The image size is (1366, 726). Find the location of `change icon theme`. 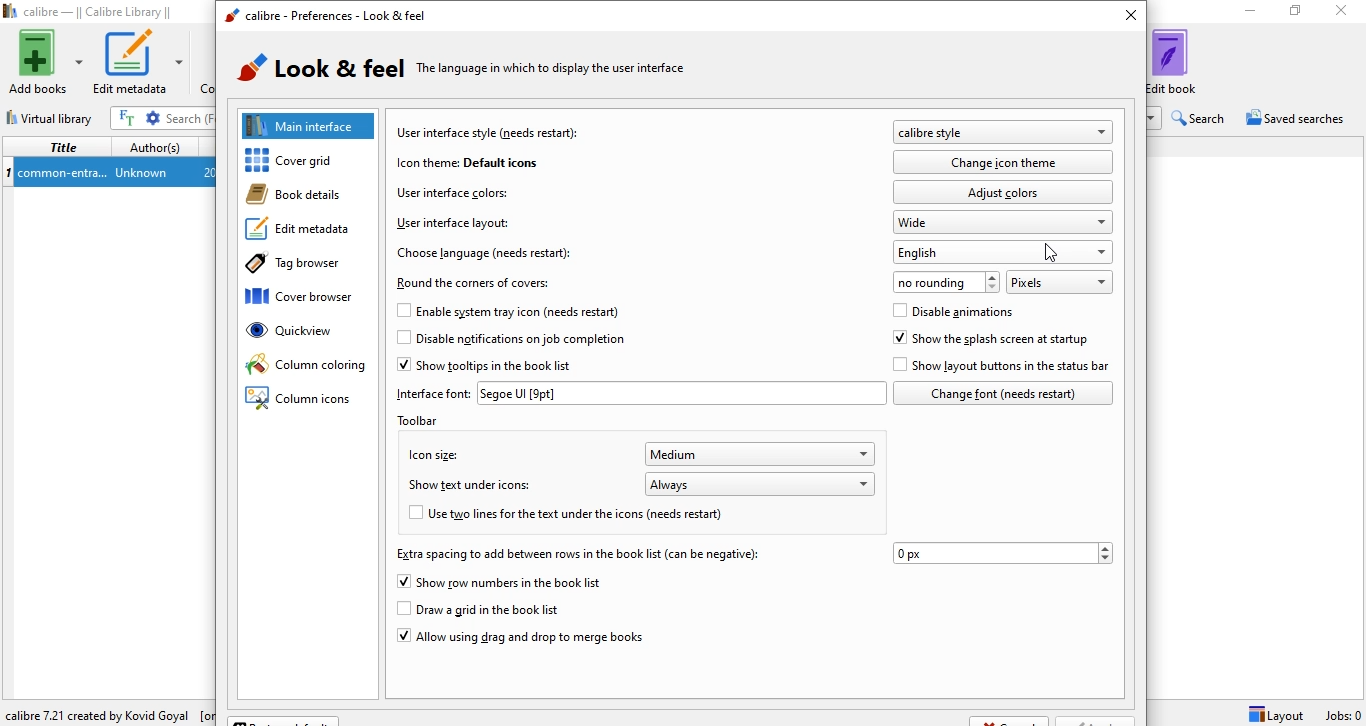

change icon theme is located at coordinates (1006, 162).